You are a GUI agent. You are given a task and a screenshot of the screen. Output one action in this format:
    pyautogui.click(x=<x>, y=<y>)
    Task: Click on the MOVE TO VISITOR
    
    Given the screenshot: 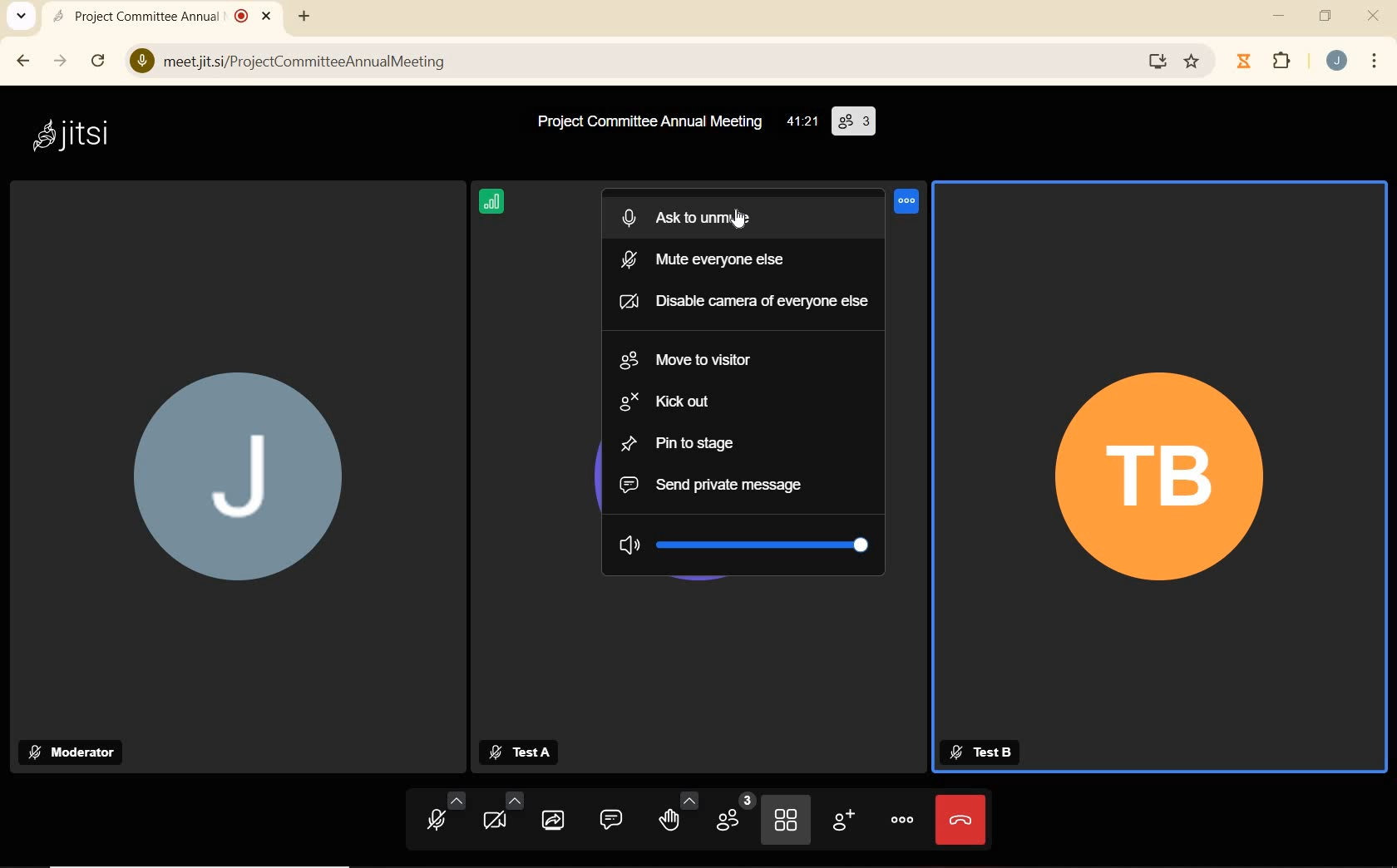 What is the action you would take?
    pyautogui.click(x=695, y=360)
    